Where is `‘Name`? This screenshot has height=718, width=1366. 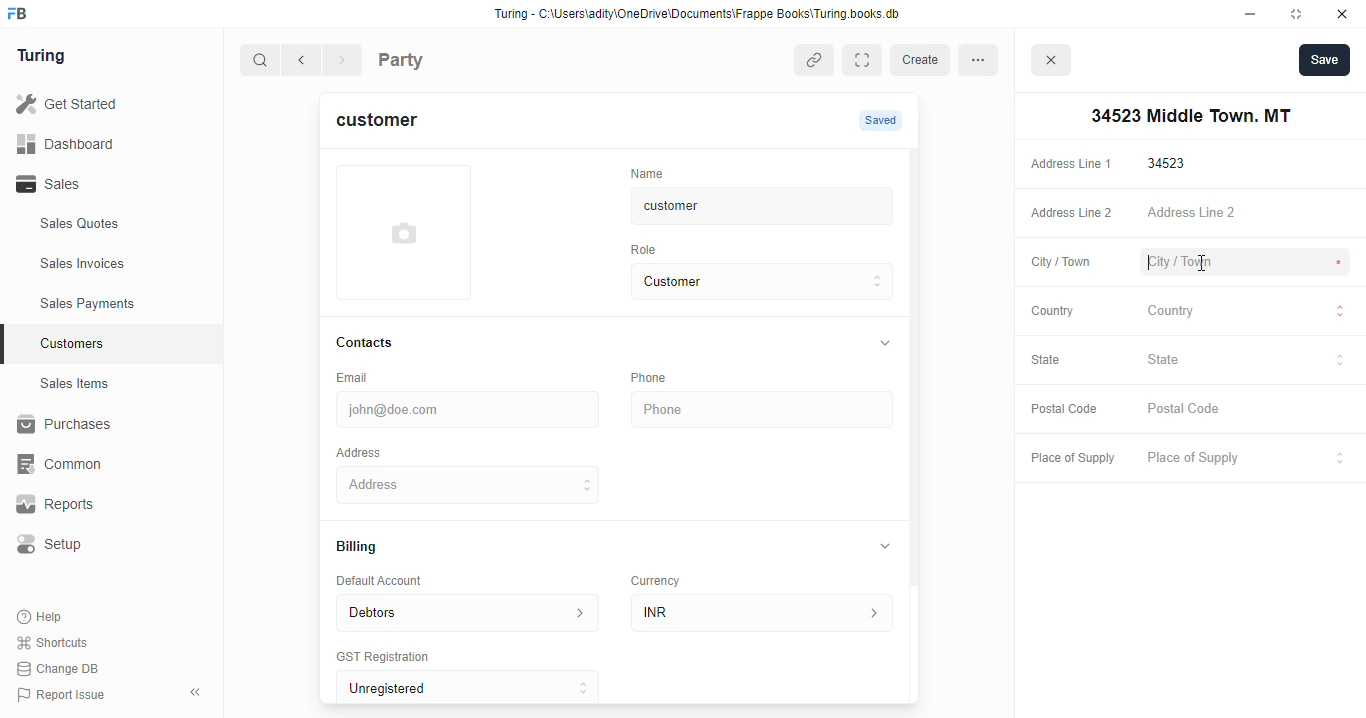 ‘Name is located at coordinates (652, 172).